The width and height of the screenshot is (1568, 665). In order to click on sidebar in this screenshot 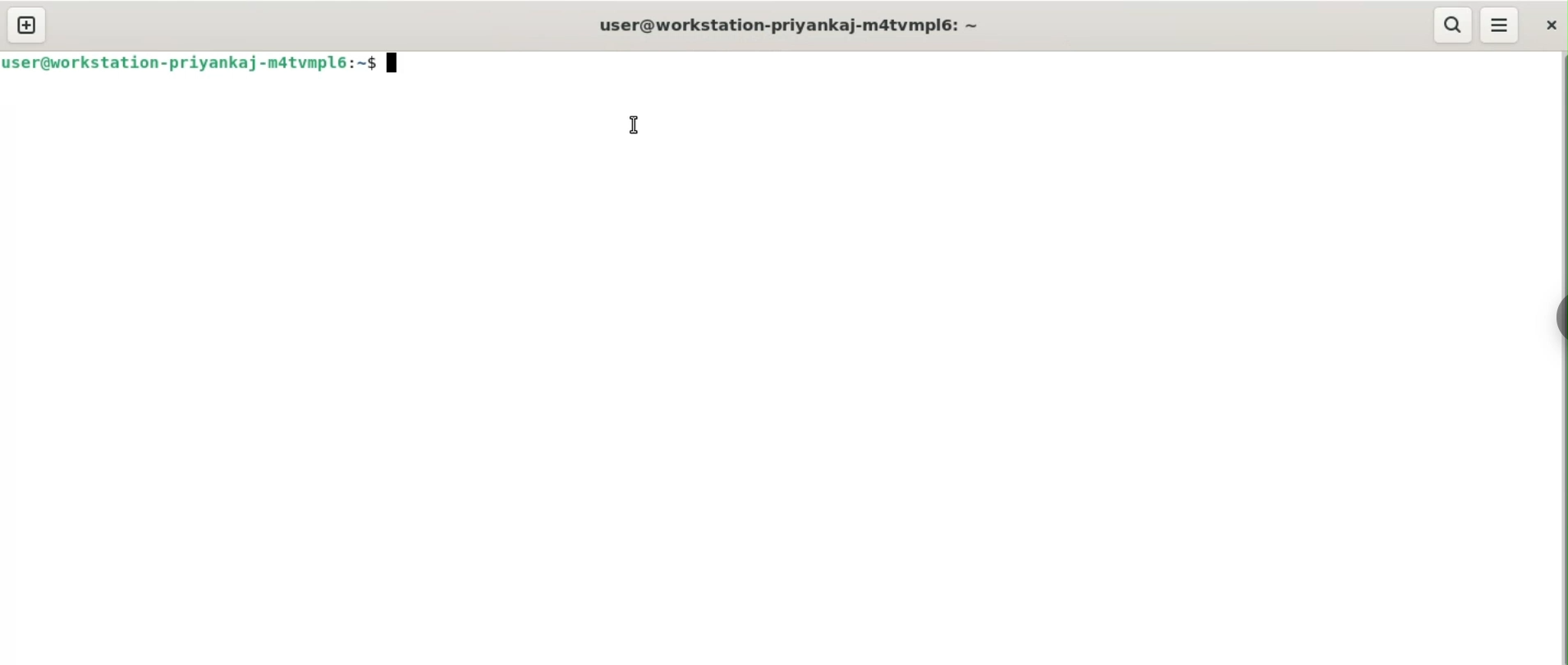, I will do `click(1560, 318)`.